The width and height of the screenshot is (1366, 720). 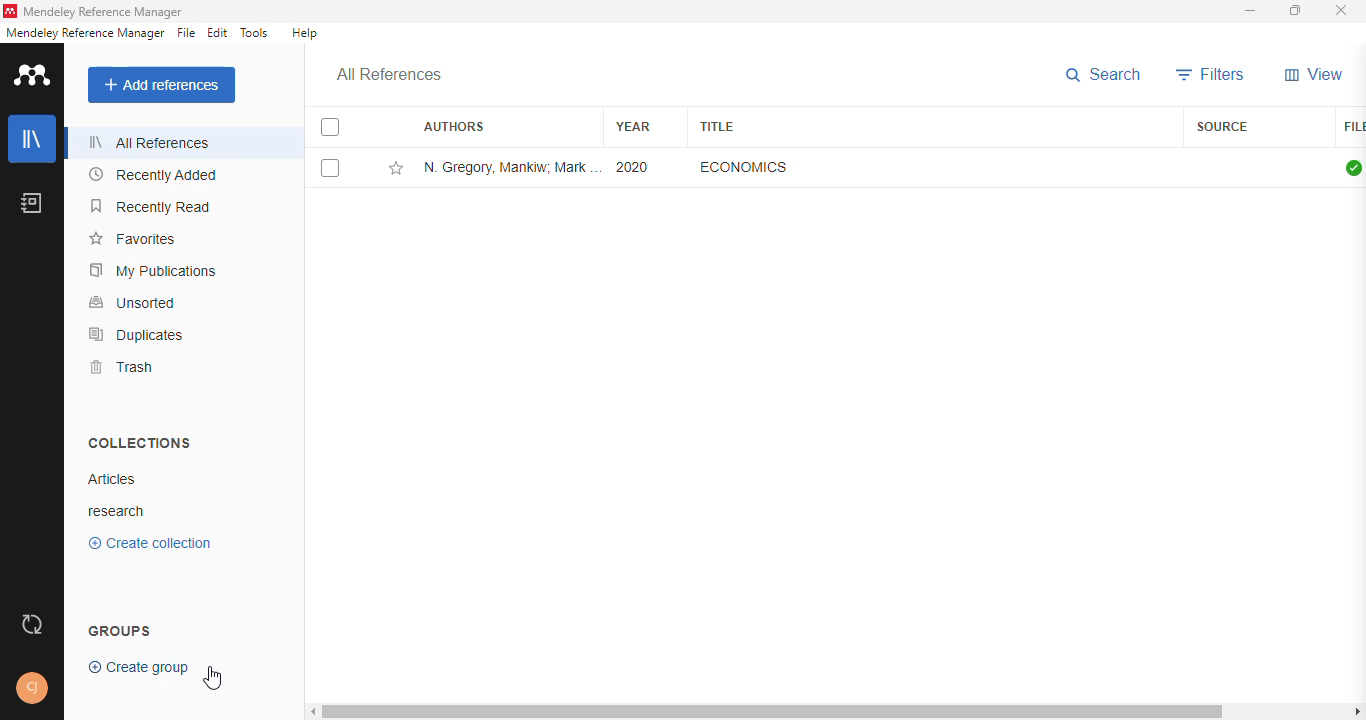 What do you see at coordinates (1351, 126) in the screenshot?
I see `file` at bounding box center [1351, 126].